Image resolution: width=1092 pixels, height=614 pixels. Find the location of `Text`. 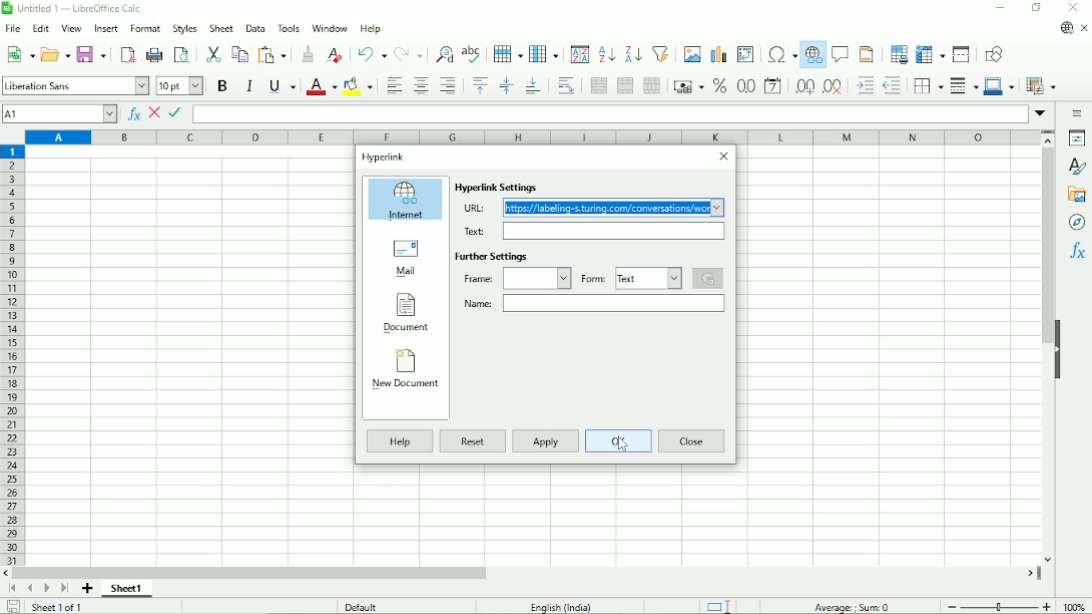

Text is located at coordinates (648, 278).